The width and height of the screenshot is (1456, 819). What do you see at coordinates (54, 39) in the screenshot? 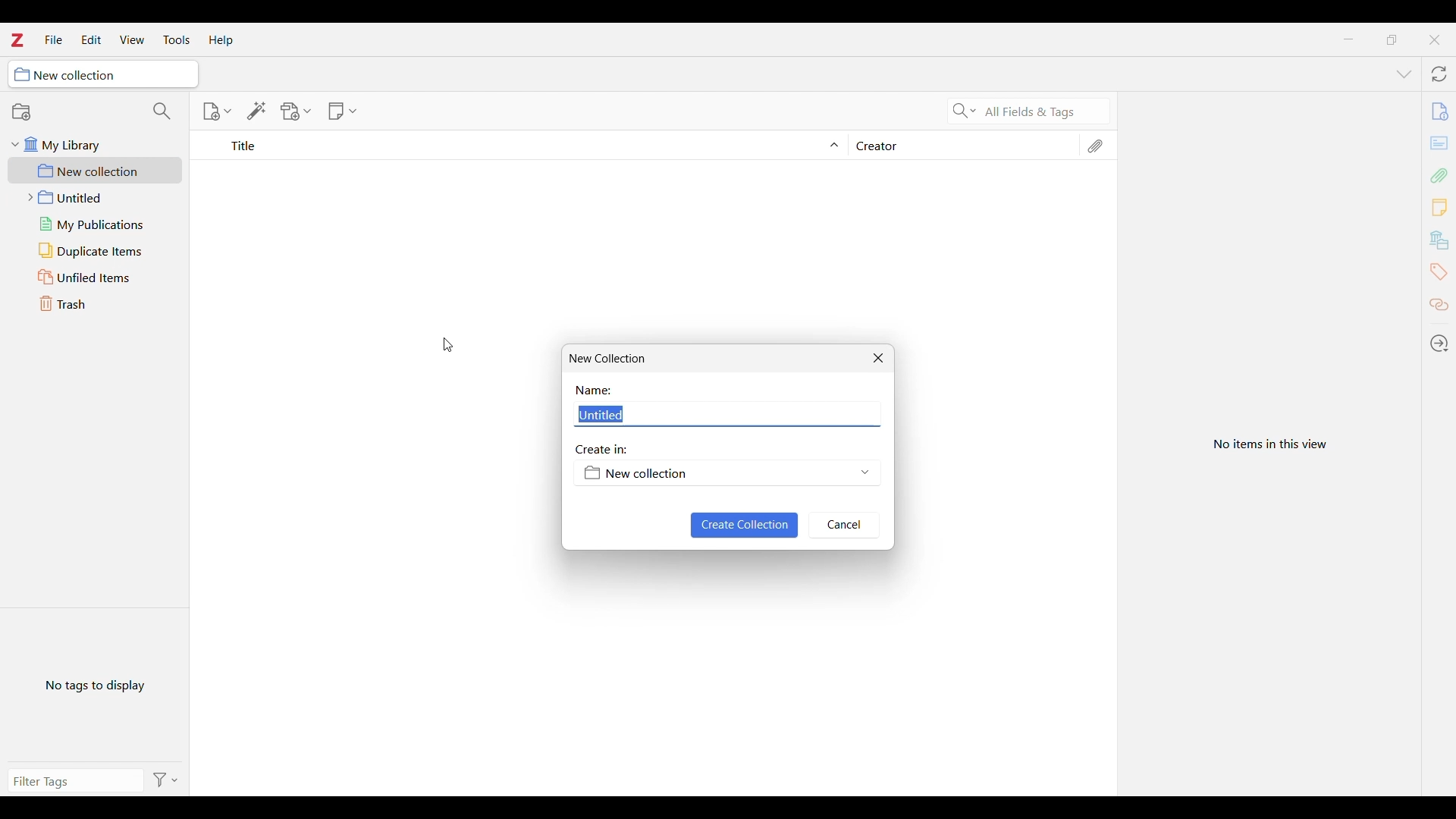
I see `File menu` at bounding box center [54, 39].